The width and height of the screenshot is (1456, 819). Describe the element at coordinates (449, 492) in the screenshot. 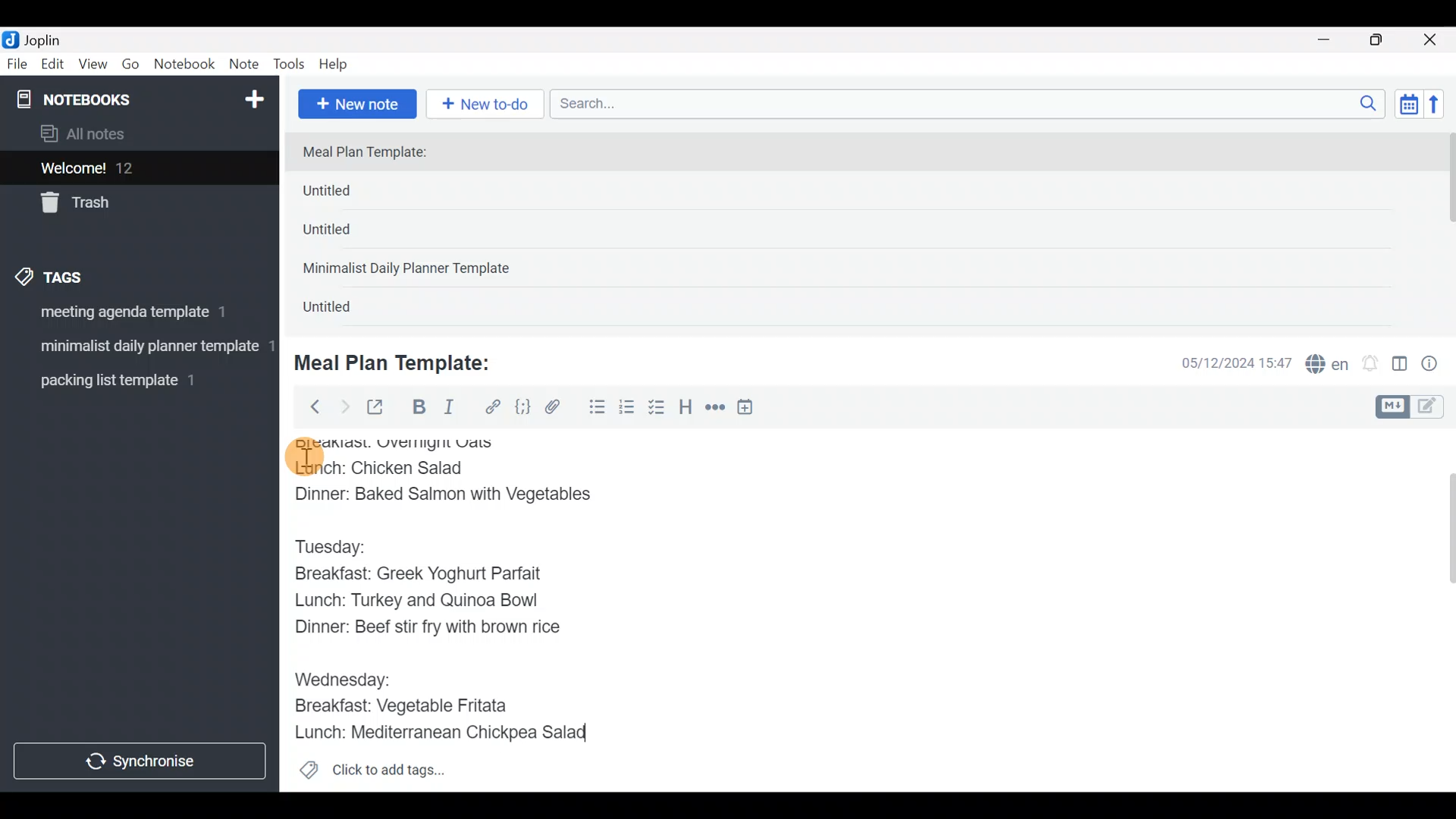

I see `Dinner: Baked Salmon with Vegetables` at that location.